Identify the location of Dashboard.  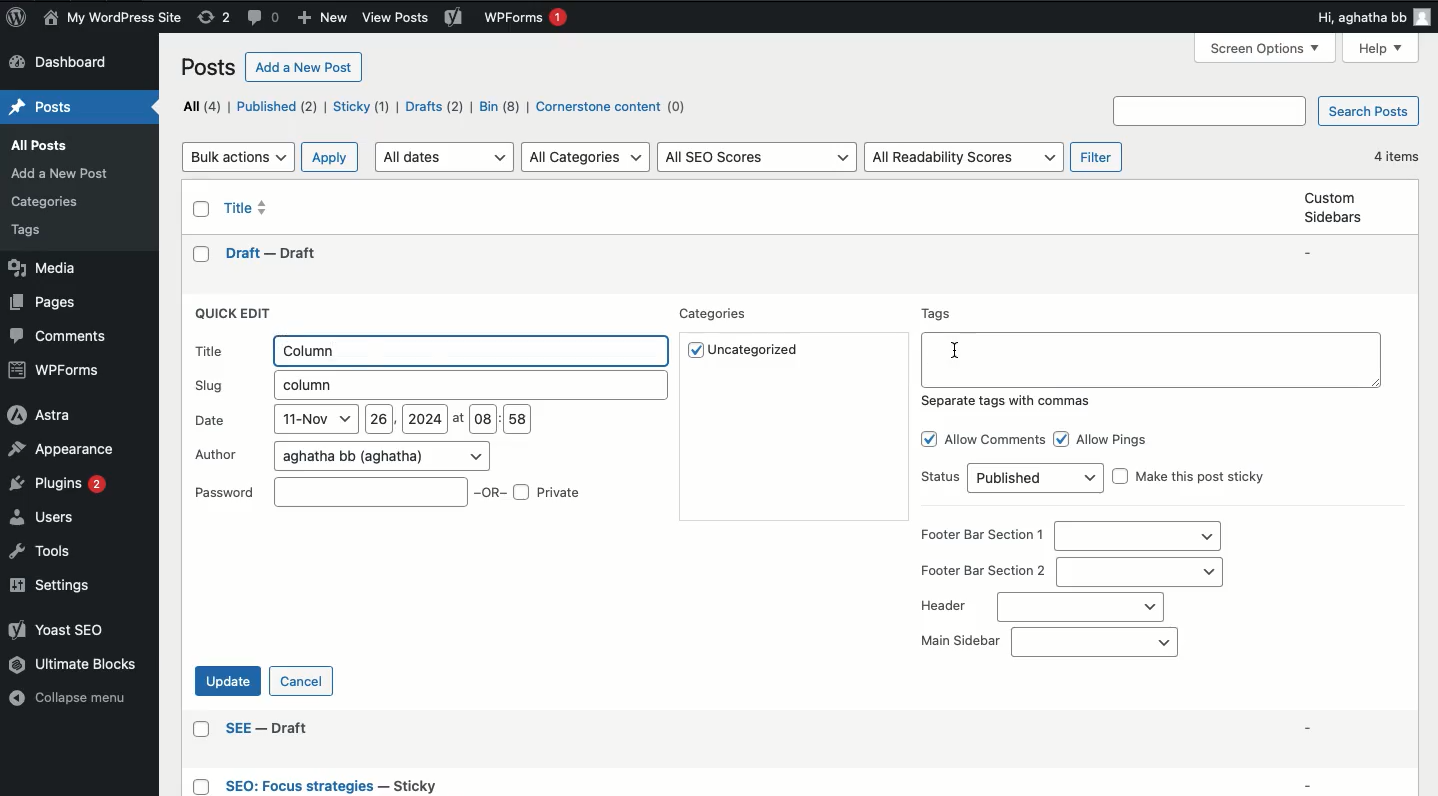
(70, 63).